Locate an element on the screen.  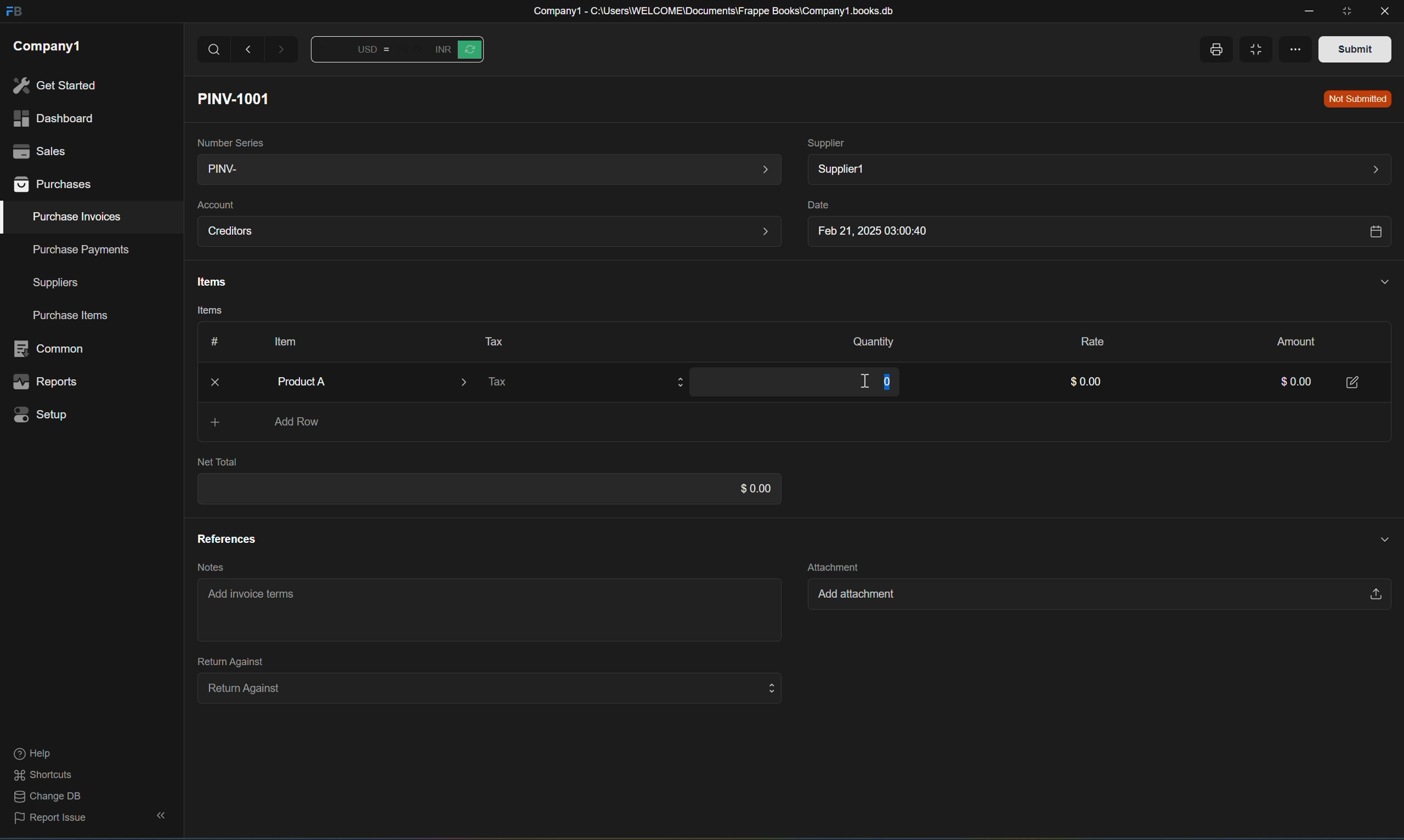
reports is located at coordinates (46, 383).